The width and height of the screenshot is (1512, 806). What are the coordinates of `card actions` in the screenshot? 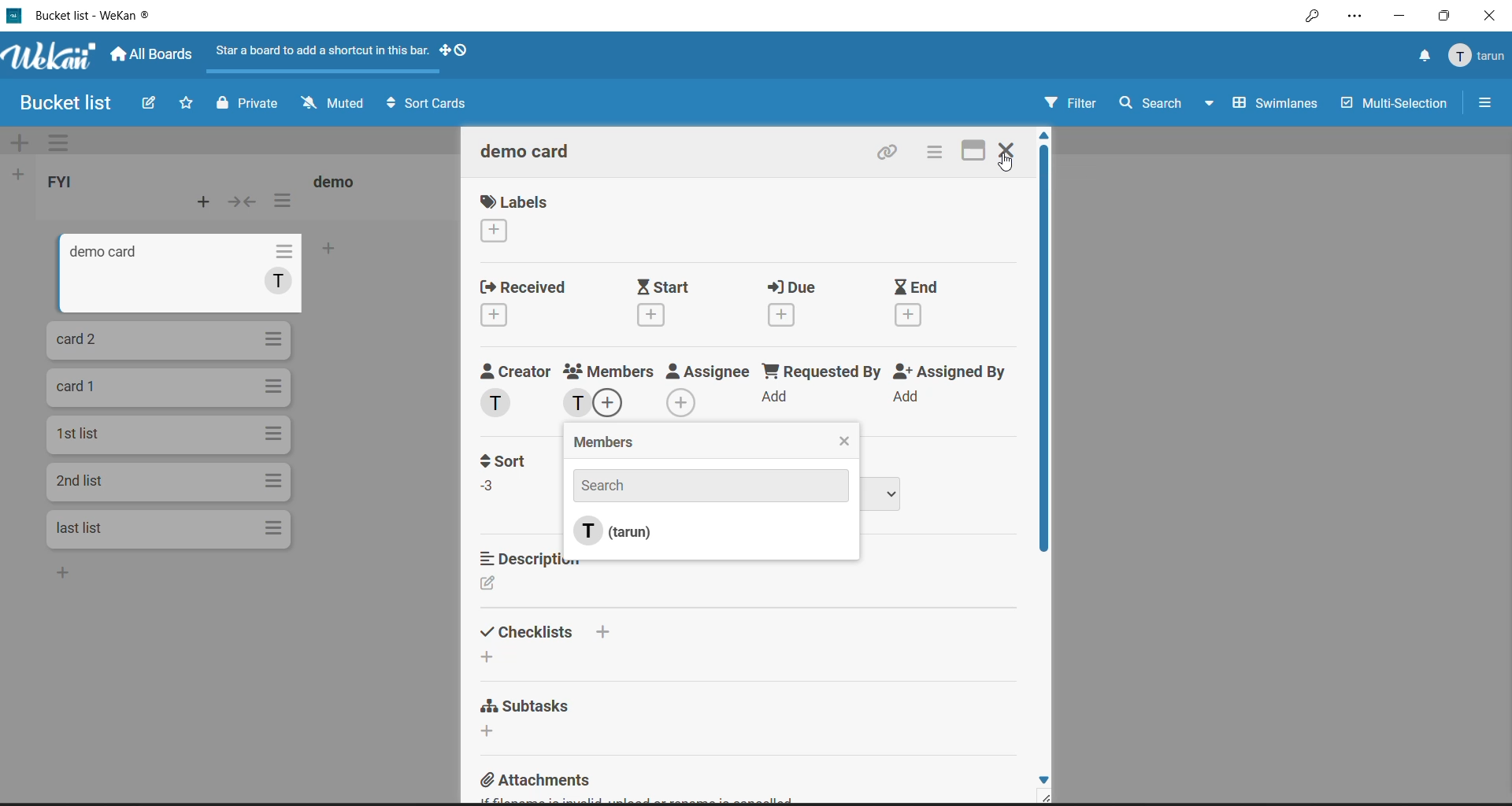 It's located at (273, 531).